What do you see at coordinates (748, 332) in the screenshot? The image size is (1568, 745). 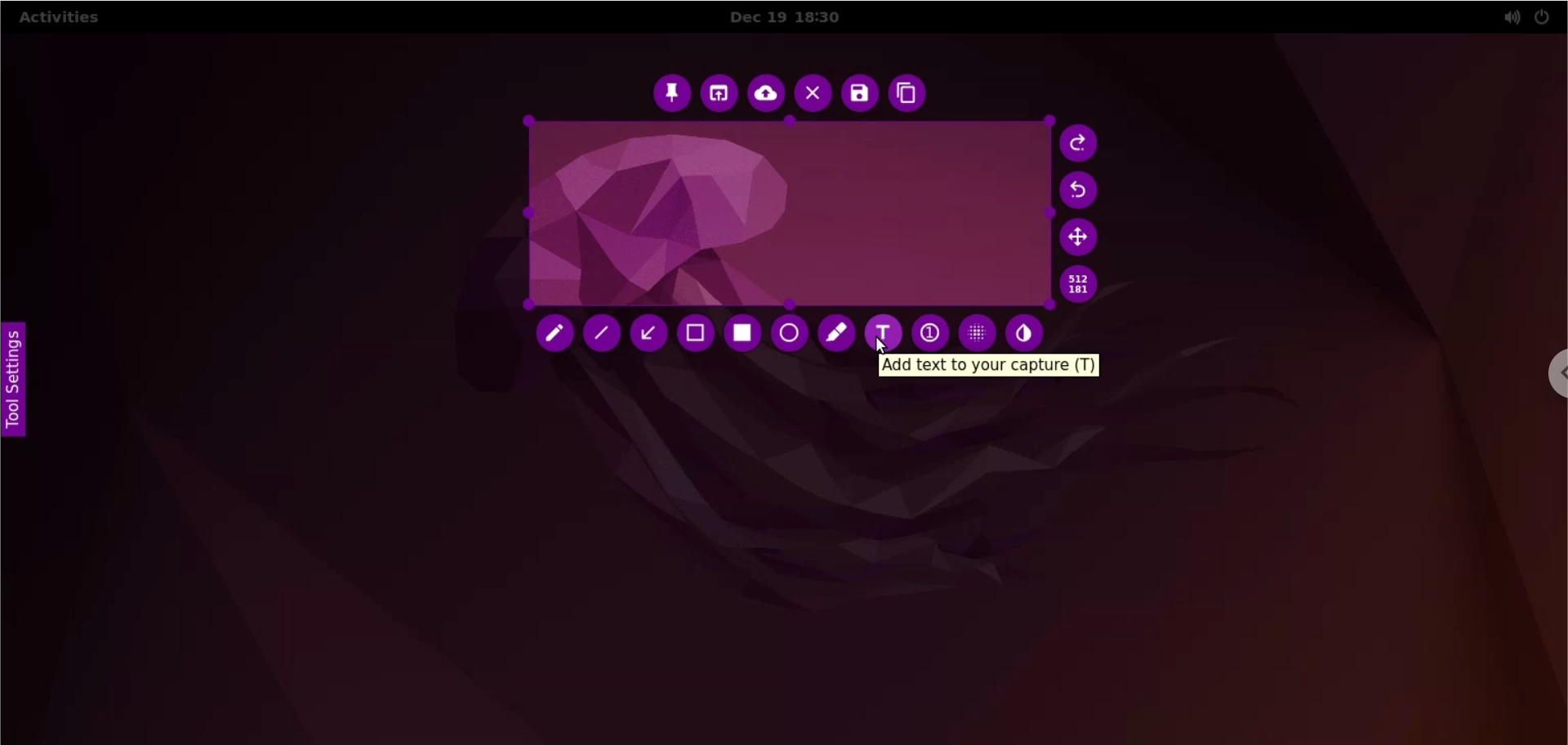 I see `rectangle tool` at bounding box center [748, 332].